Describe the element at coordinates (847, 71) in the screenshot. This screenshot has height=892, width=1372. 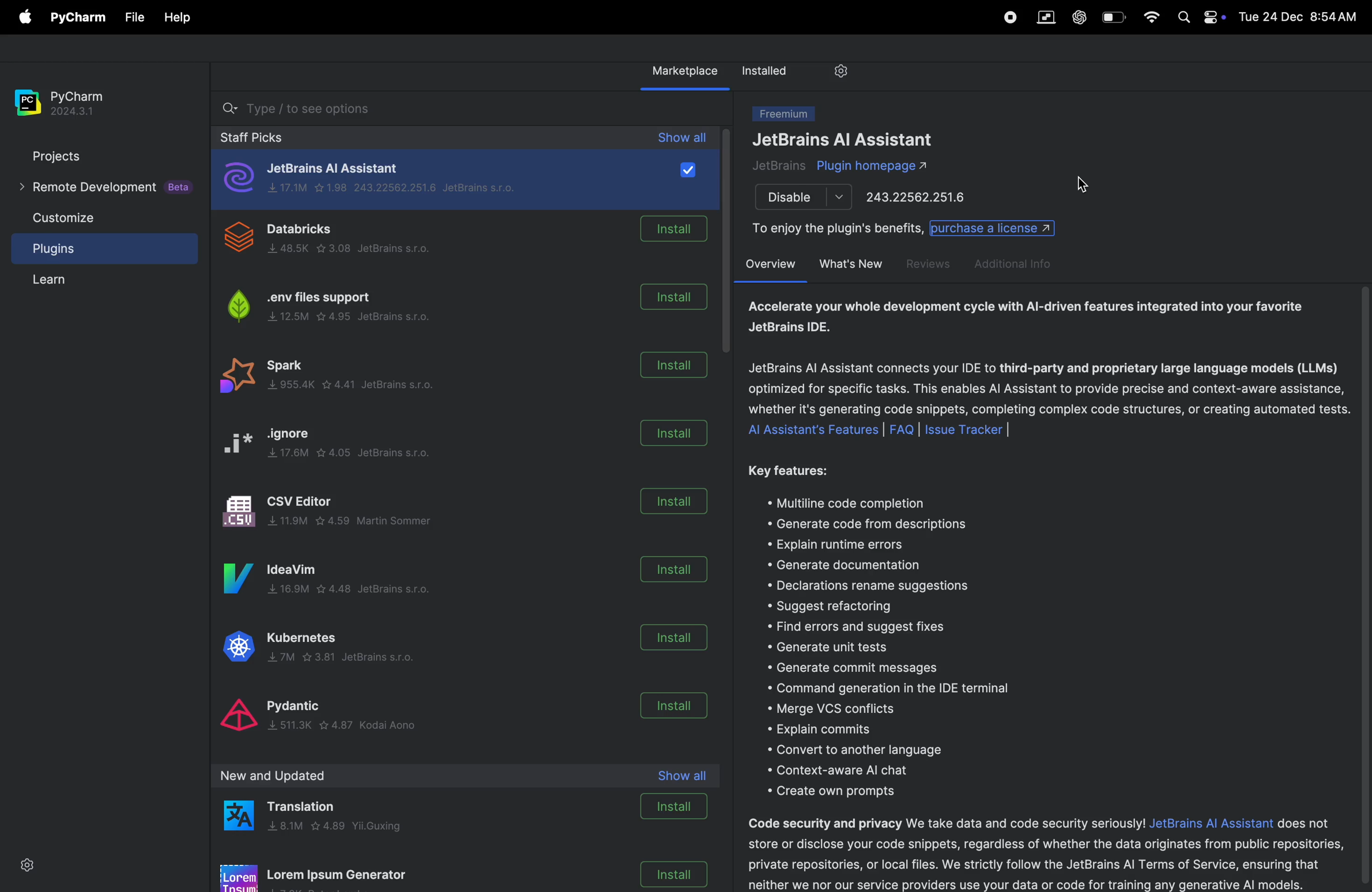
I see `settings` at that location.